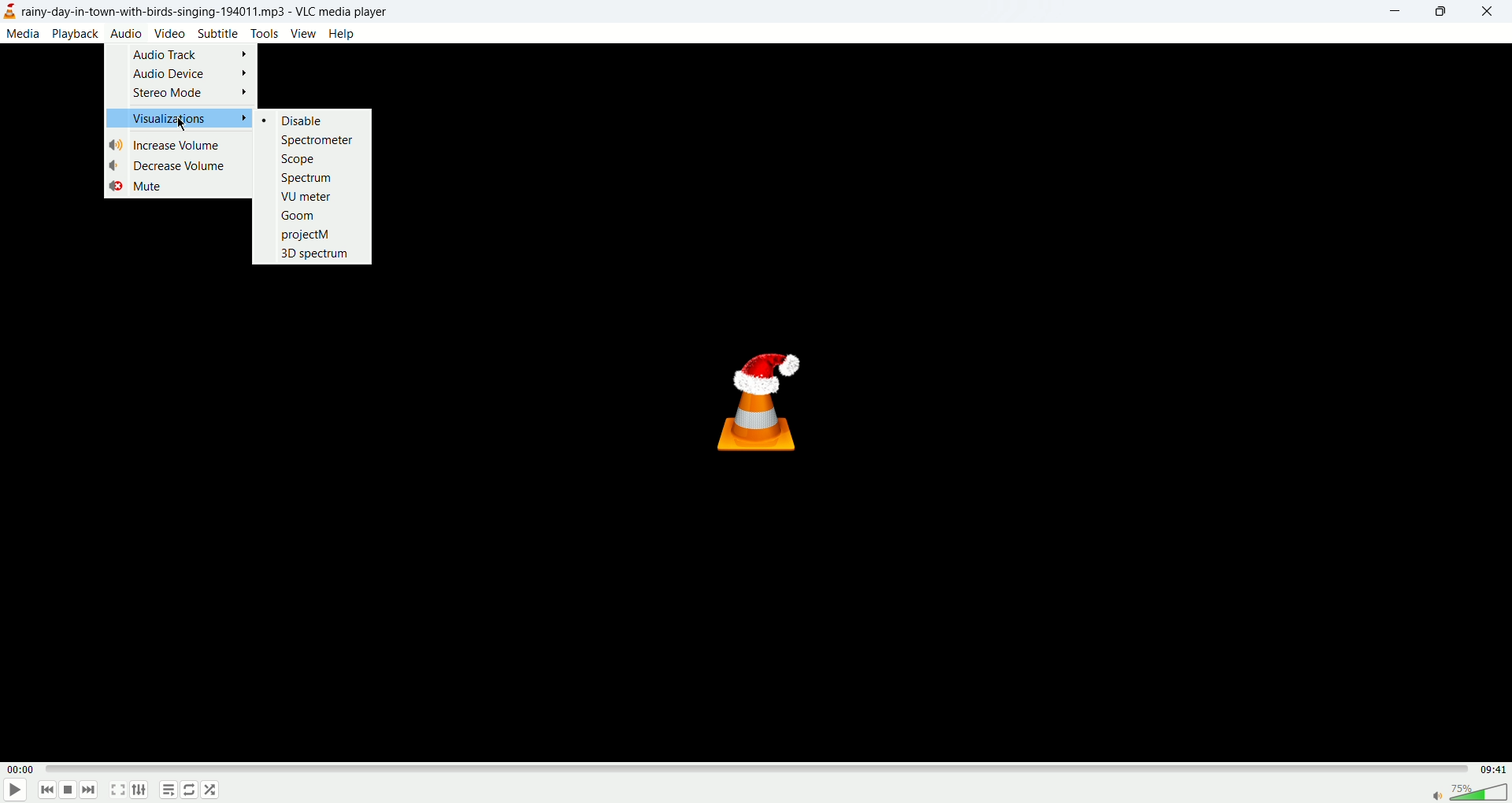 The width and height of the screenshot is (1512, 803). I want to click on title, so click(206, 12).